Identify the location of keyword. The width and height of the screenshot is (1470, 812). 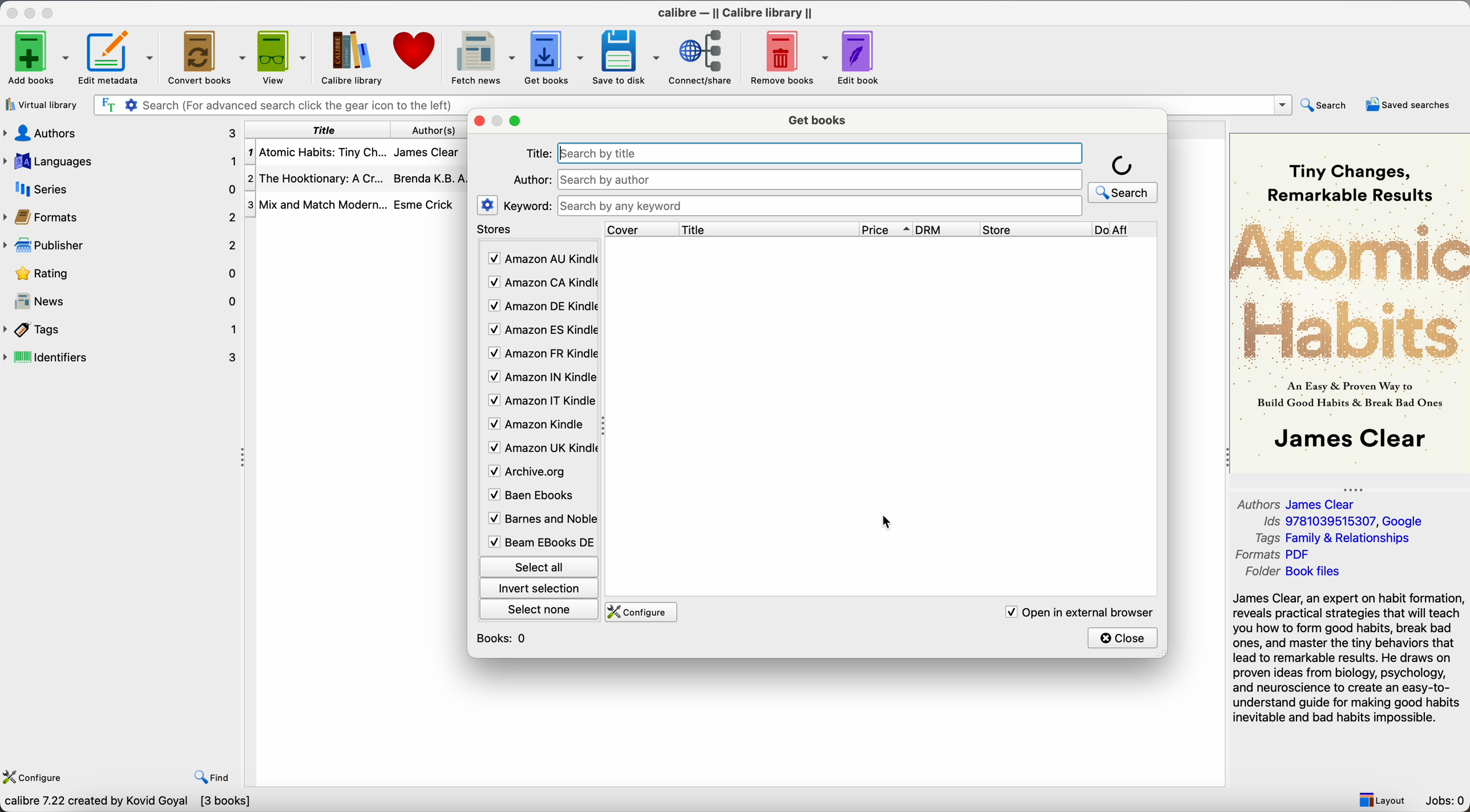
(528, 207).